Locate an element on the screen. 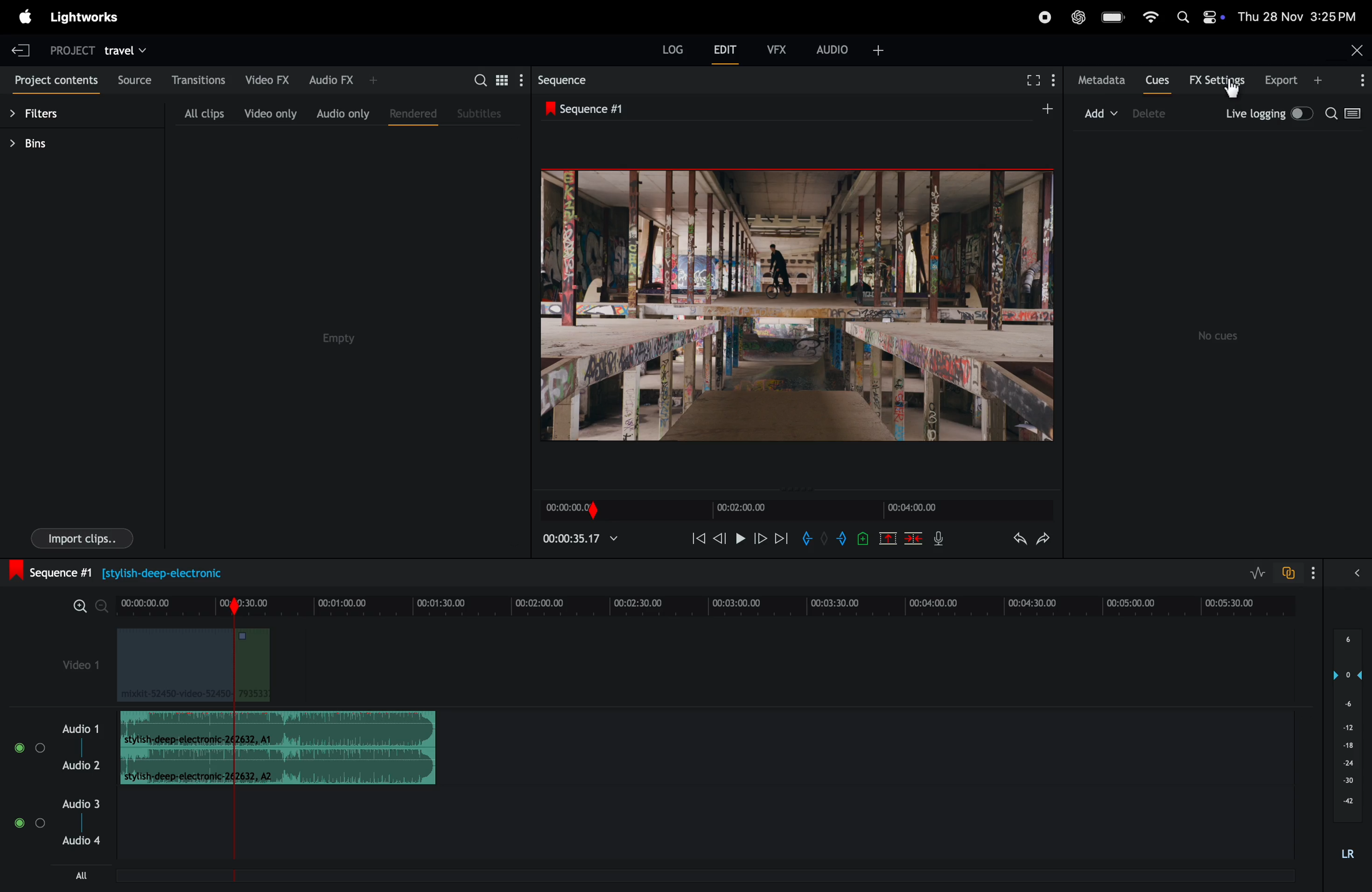 This screenshot has width=1372, height=892. audio 1 is located at coordinates (81, 729).